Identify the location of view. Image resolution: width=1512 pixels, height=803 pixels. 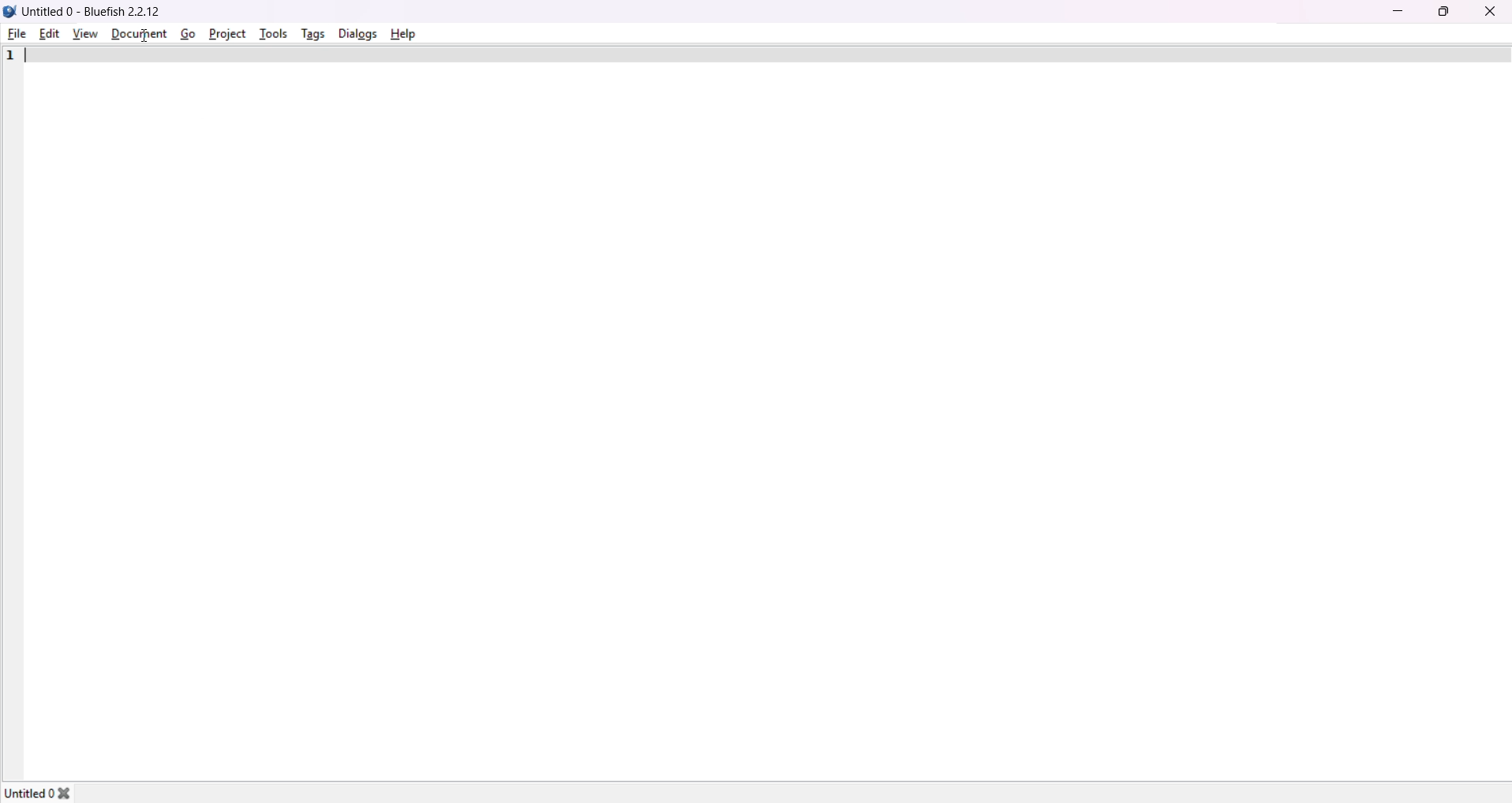
(82, 33).